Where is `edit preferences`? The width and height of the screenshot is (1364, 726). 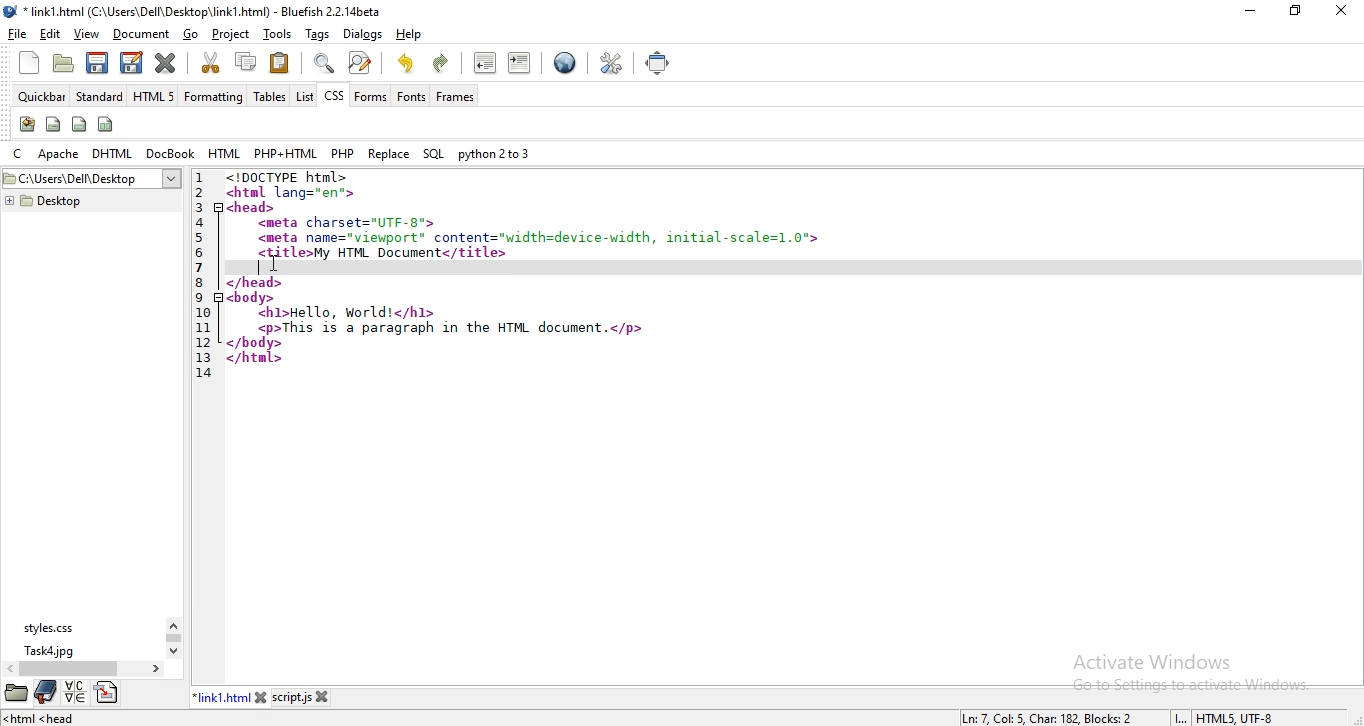 edit preferences is located at coordinates (611, 64).